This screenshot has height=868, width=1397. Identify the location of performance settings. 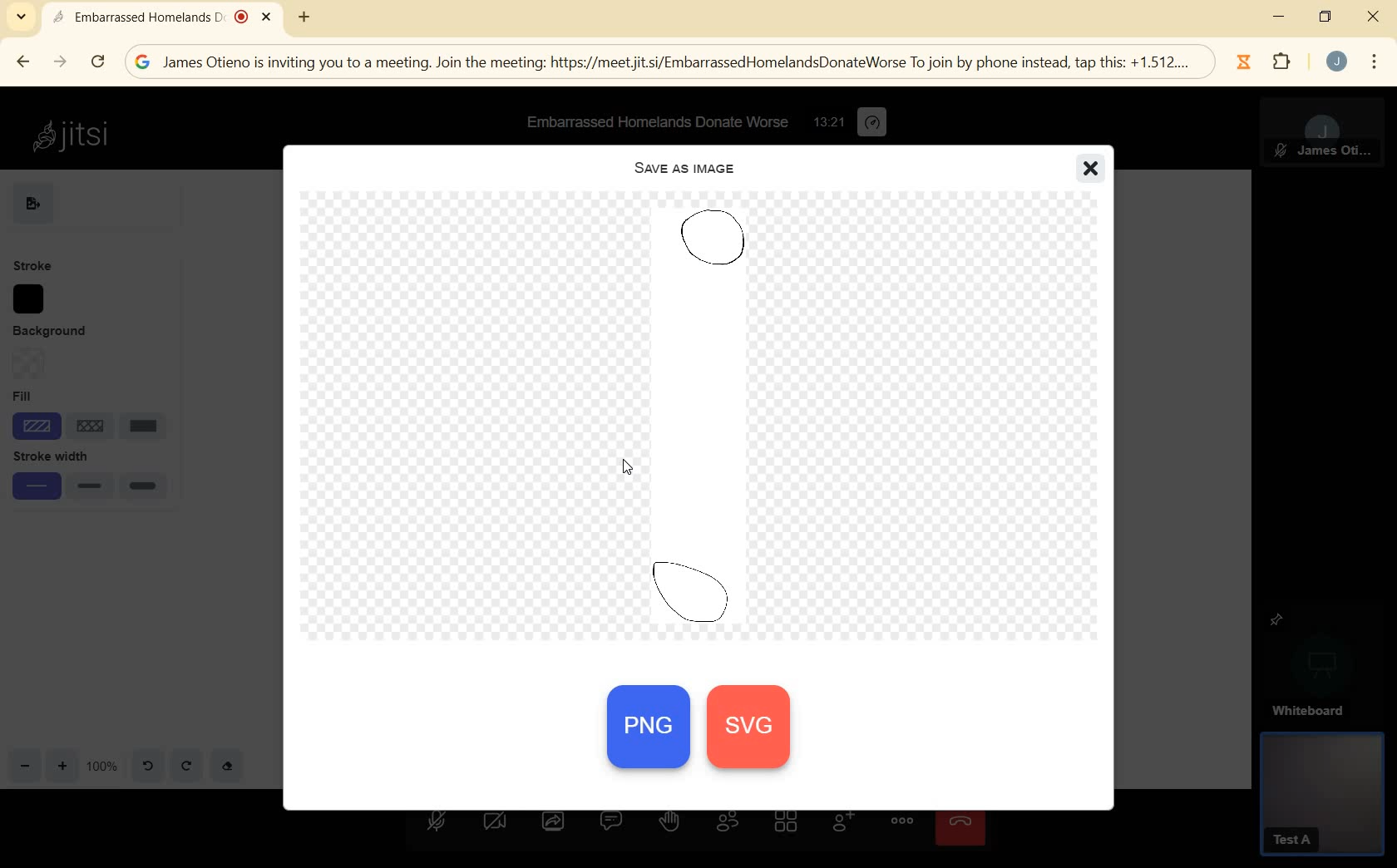
(871, 123).